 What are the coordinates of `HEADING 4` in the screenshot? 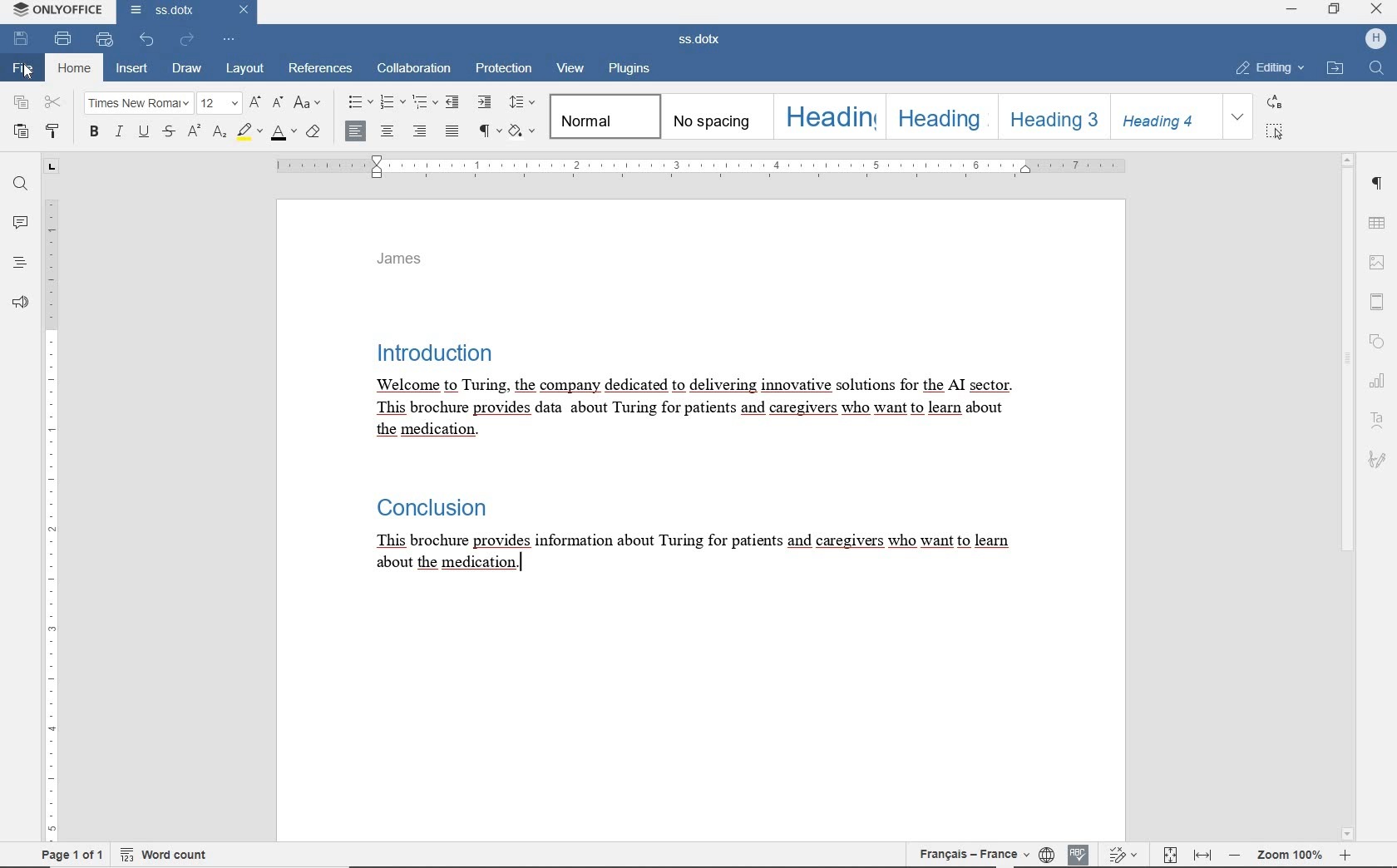 It's located at (1163, 117).